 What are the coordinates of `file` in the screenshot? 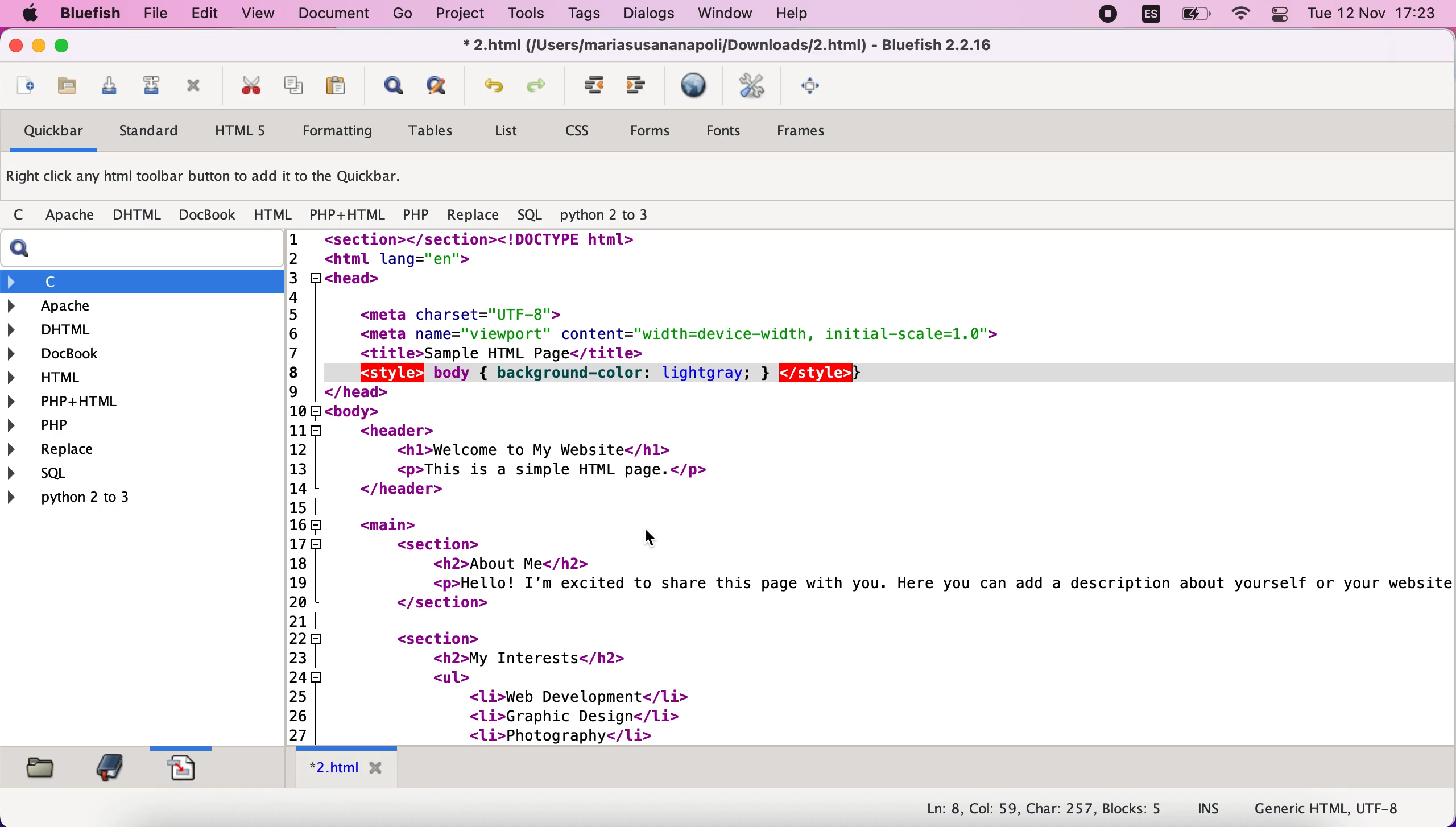 It's located at (158, 15).